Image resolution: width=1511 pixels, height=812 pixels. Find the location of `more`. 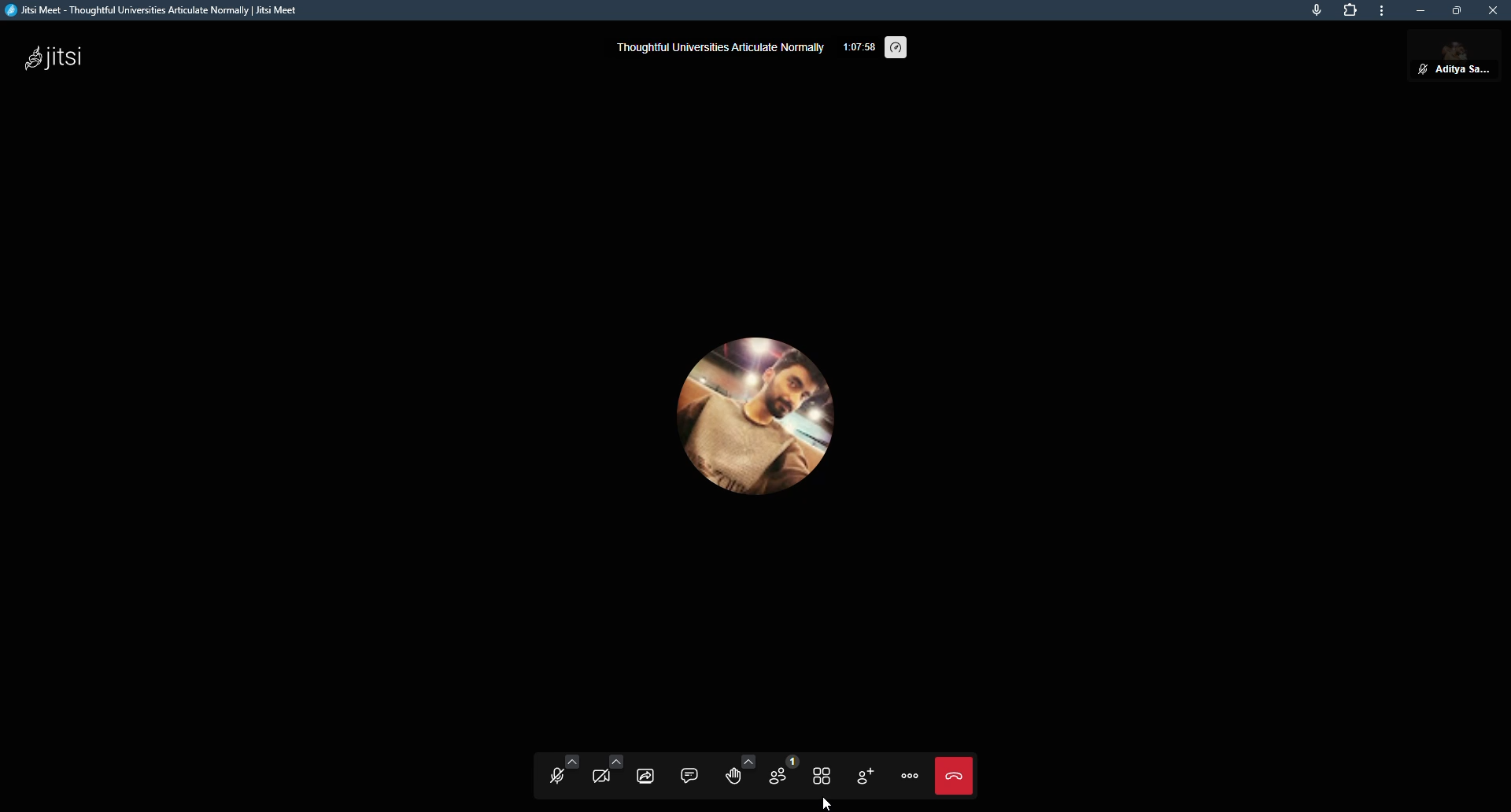

more is located at coordinates (1384, 11).